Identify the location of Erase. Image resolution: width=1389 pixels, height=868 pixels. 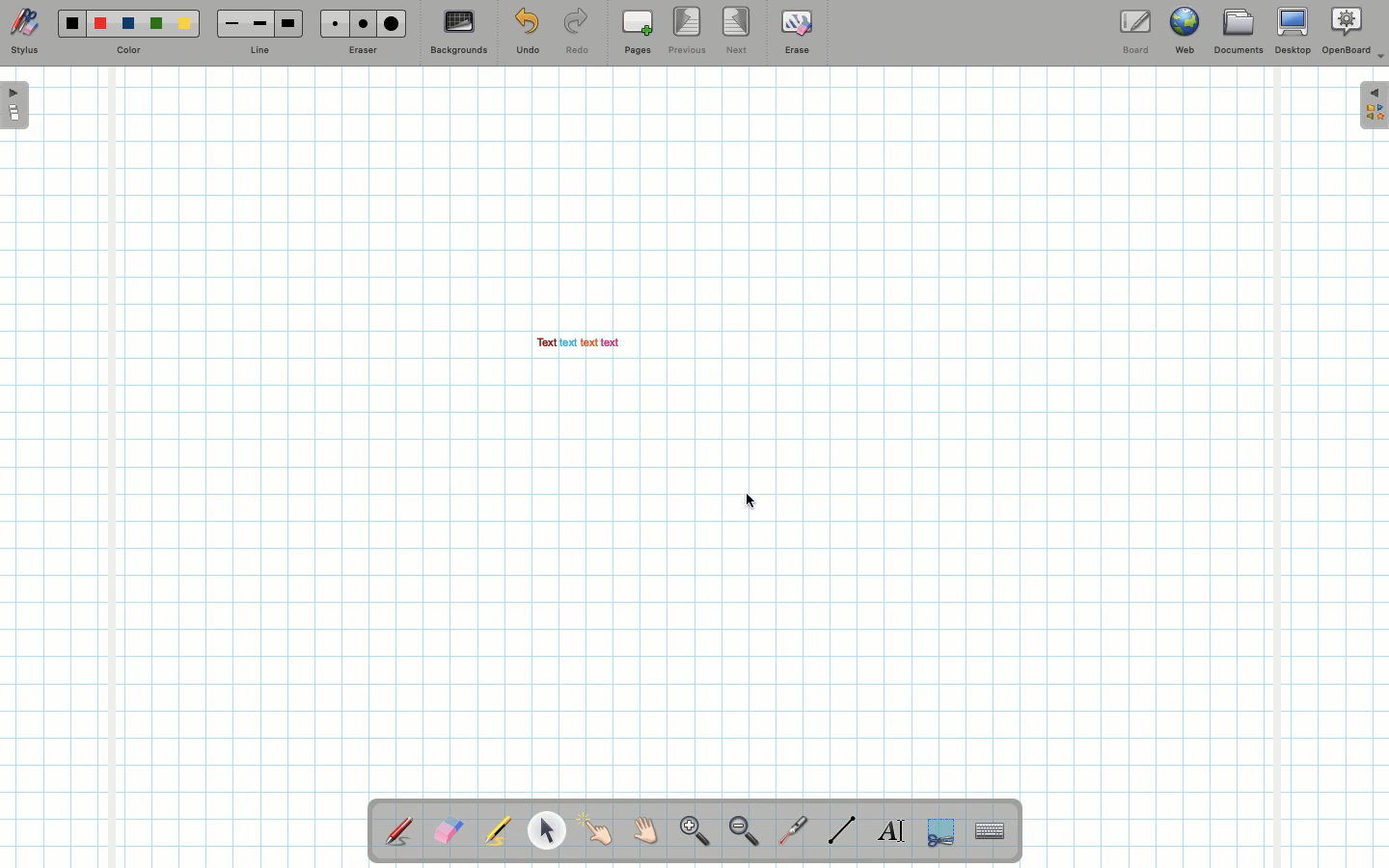
(796, 31).